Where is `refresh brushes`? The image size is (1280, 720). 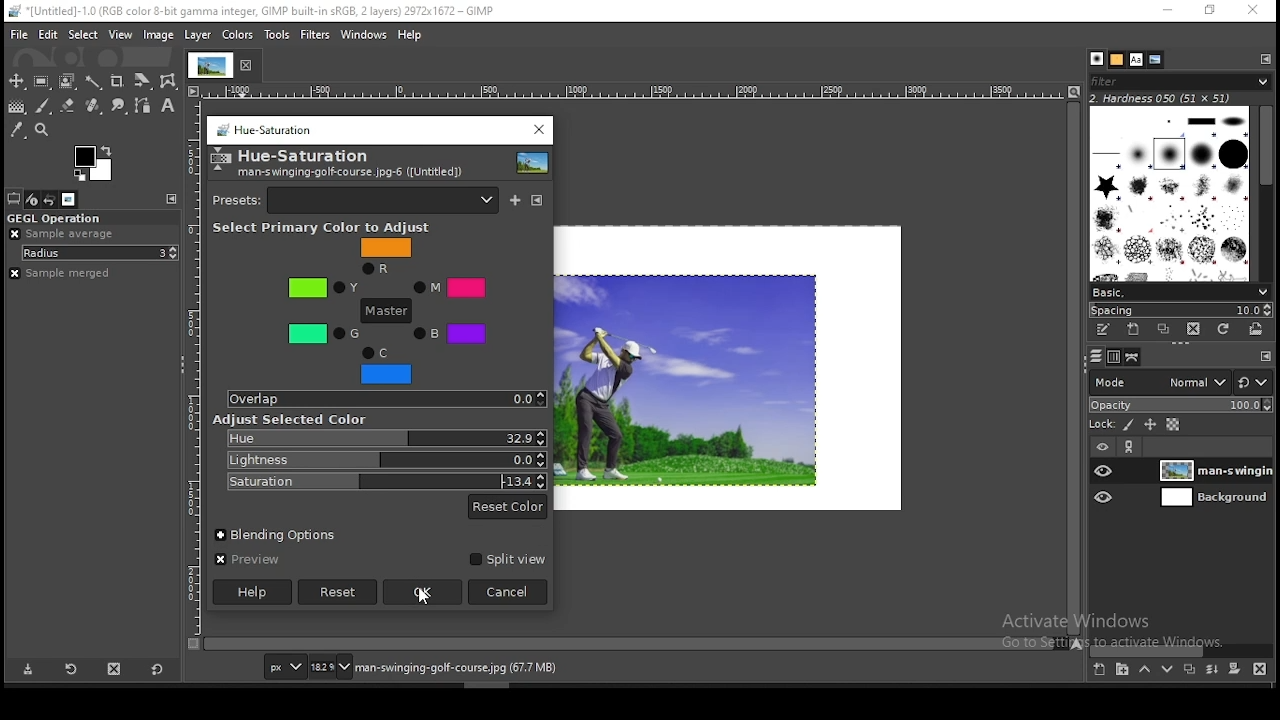 refresh brushes is located at coordinates (1224, 329).